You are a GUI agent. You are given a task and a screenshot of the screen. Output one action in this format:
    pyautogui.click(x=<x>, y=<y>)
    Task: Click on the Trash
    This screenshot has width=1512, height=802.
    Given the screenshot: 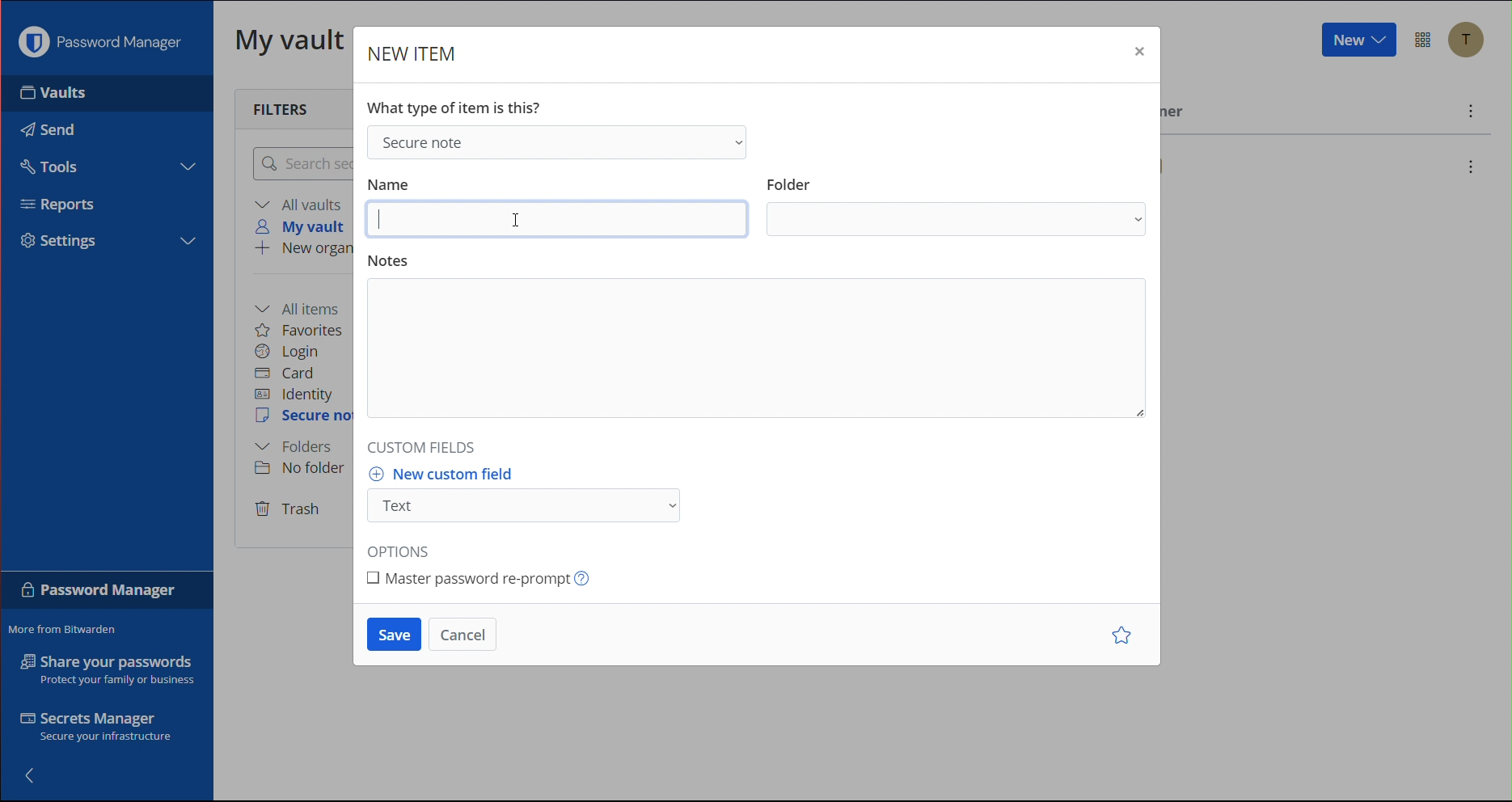 What is the action you would take?
    pyautogui.click(x=289, y=510)
    